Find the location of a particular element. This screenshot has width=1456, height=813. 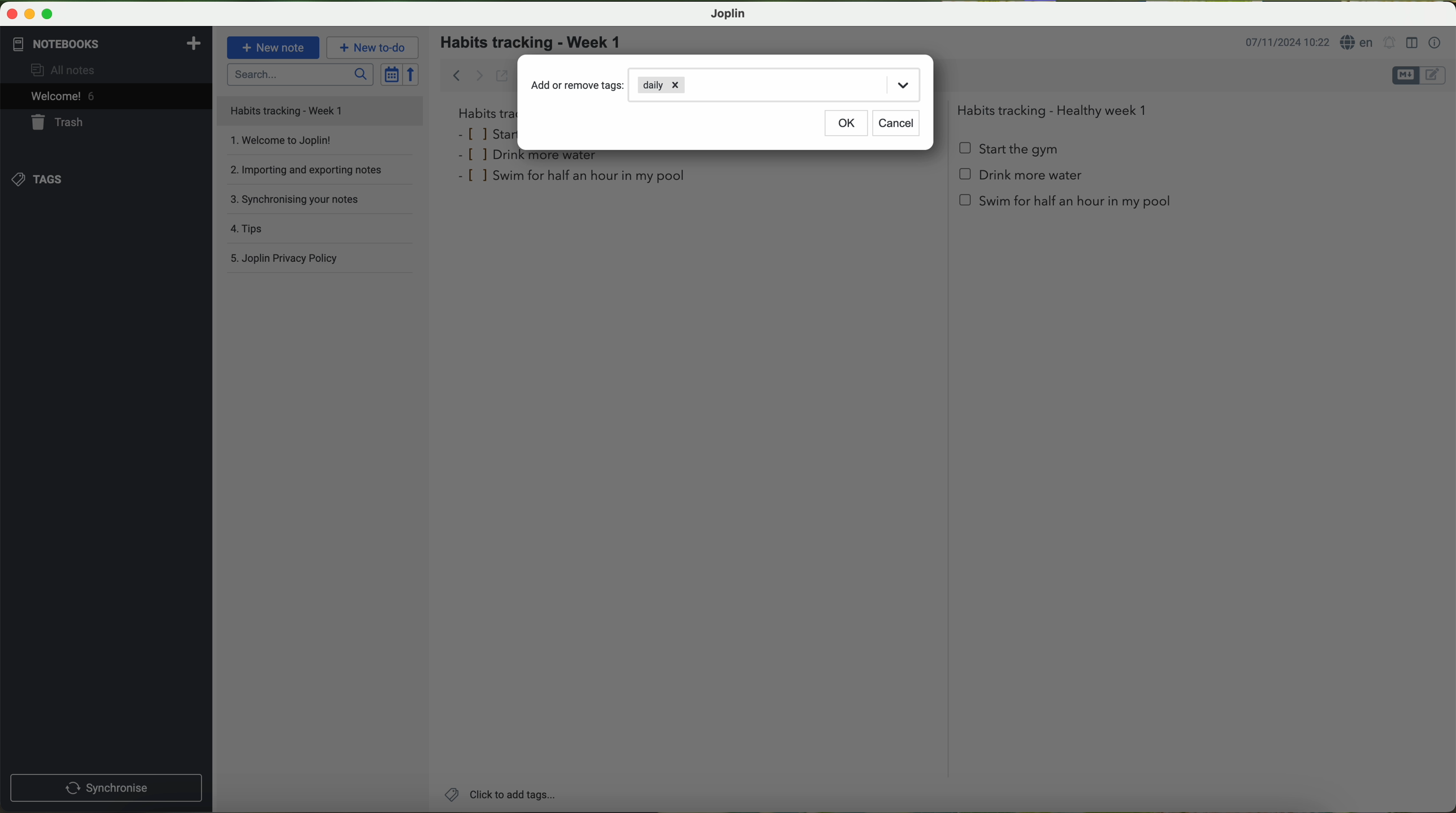

toggle external editing is located at coordinates (502, 75).